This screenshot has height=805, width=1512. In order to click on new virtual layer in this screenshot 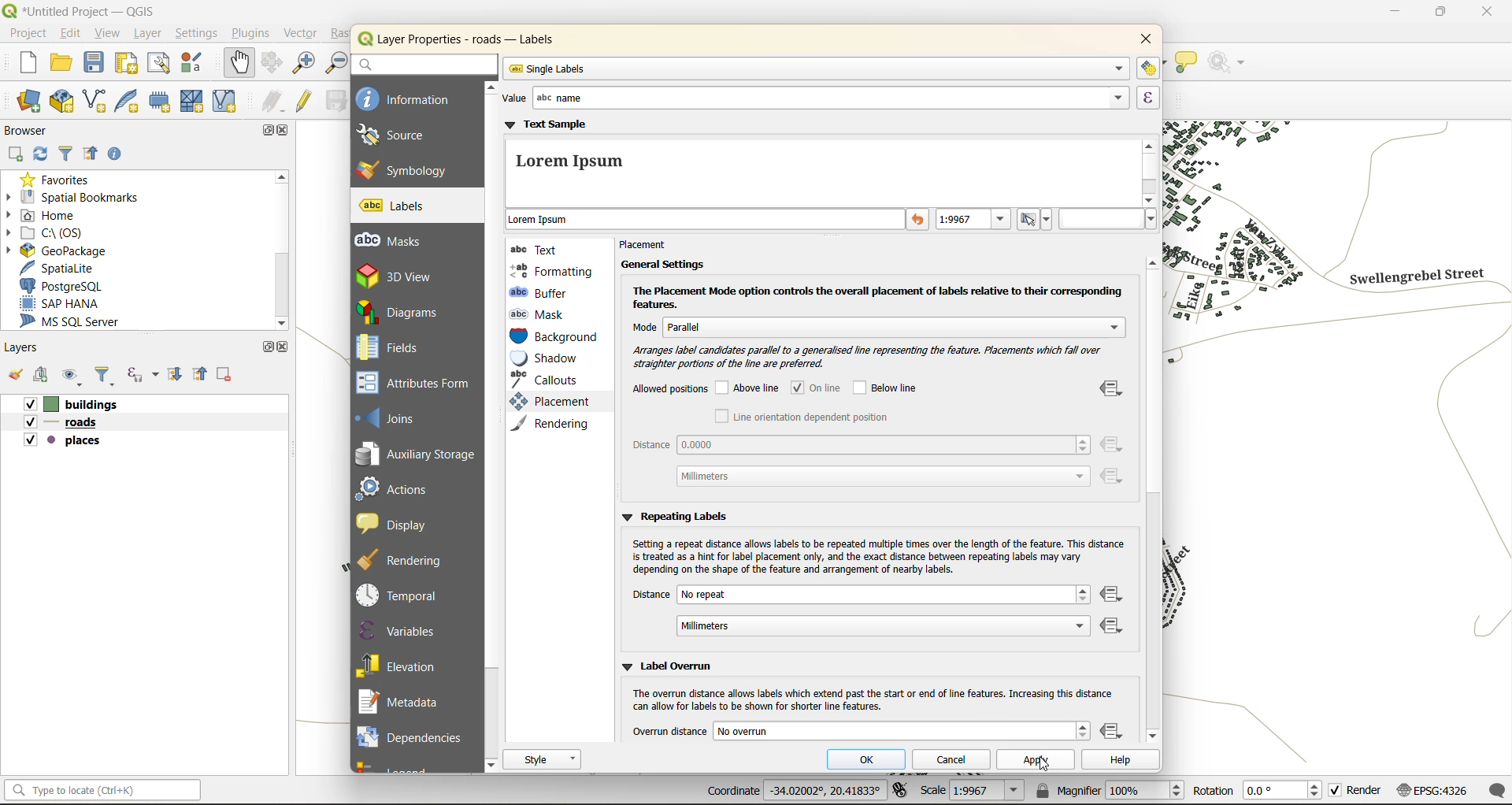, I will do `click(228, 102)`.